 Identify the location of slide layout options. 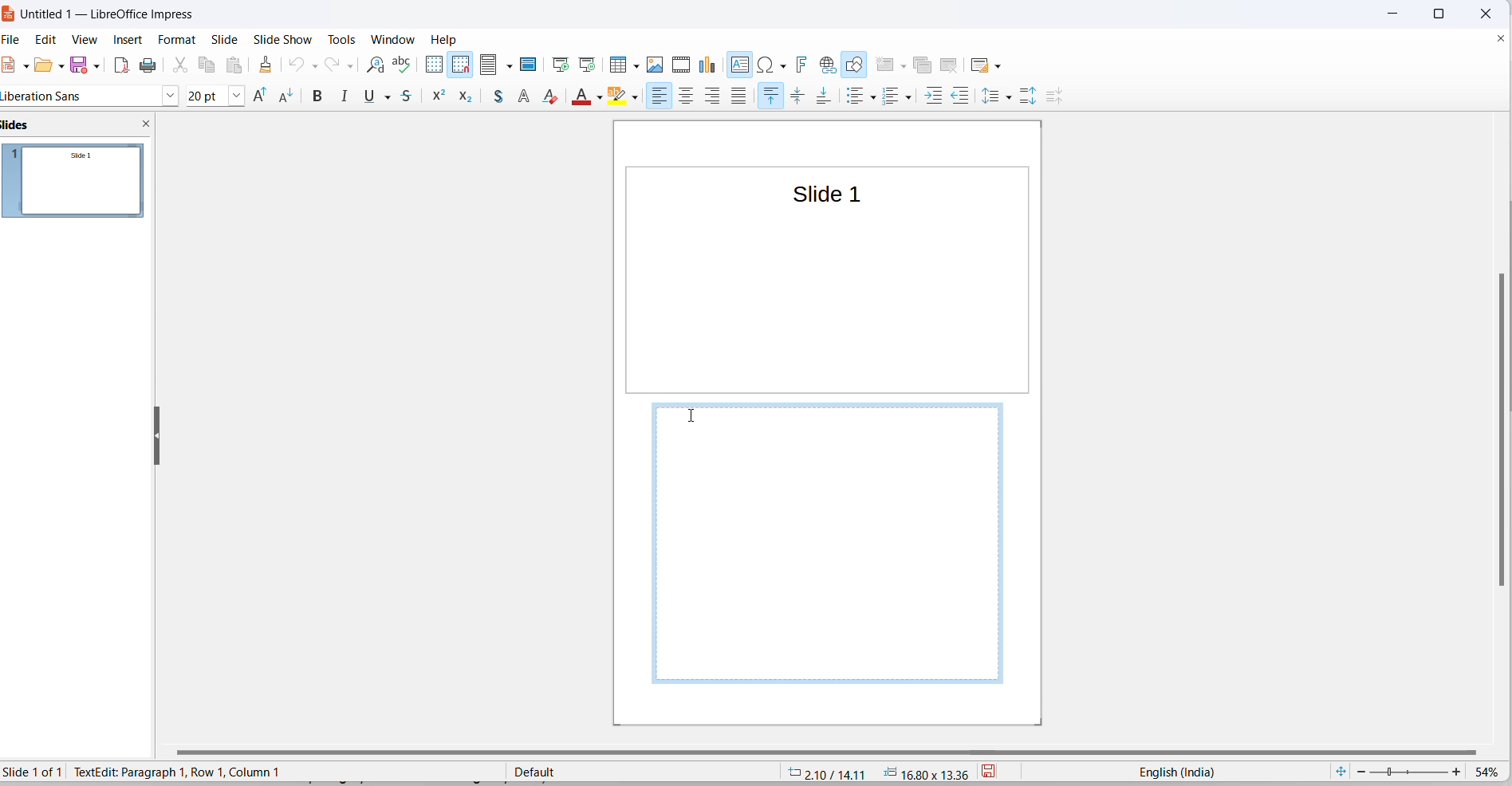
(1000, 65).